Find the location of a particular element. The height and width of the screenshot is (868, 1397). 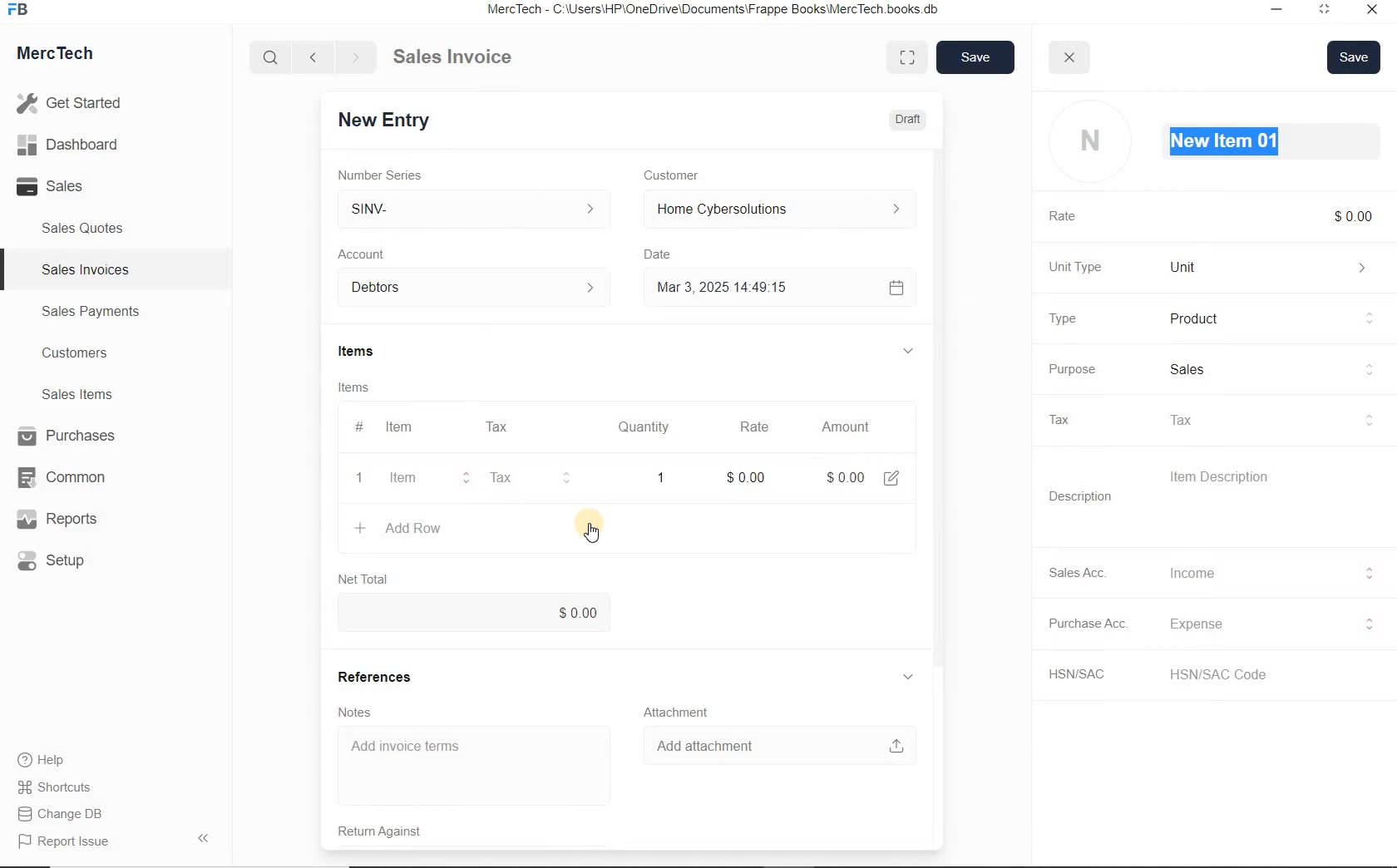

Account is located at coordinates (367, 254).